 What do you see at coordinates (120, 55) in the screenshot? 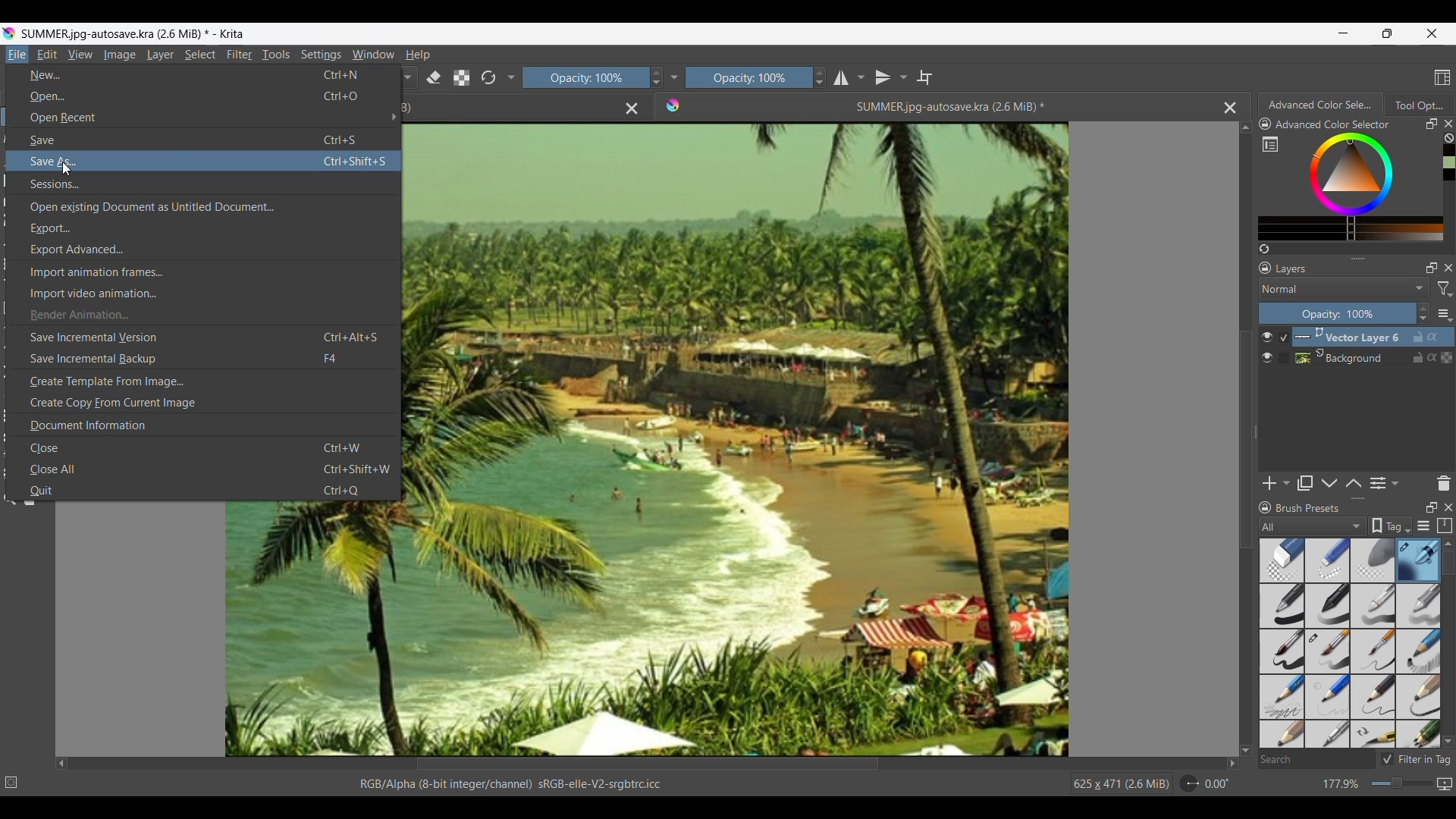
I see `Image` at bounding box center [120, 55].